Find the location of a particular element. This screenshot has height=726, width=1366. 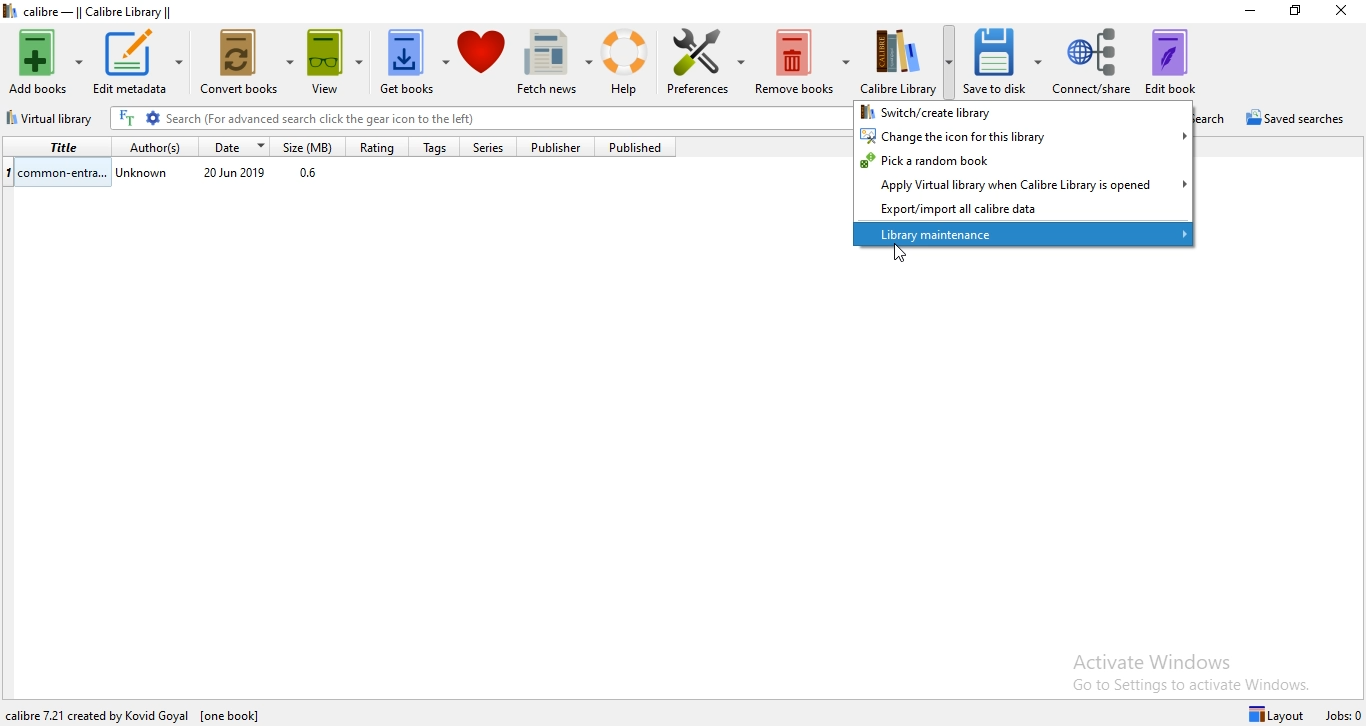

Rating is located at coordinates (375, 147).